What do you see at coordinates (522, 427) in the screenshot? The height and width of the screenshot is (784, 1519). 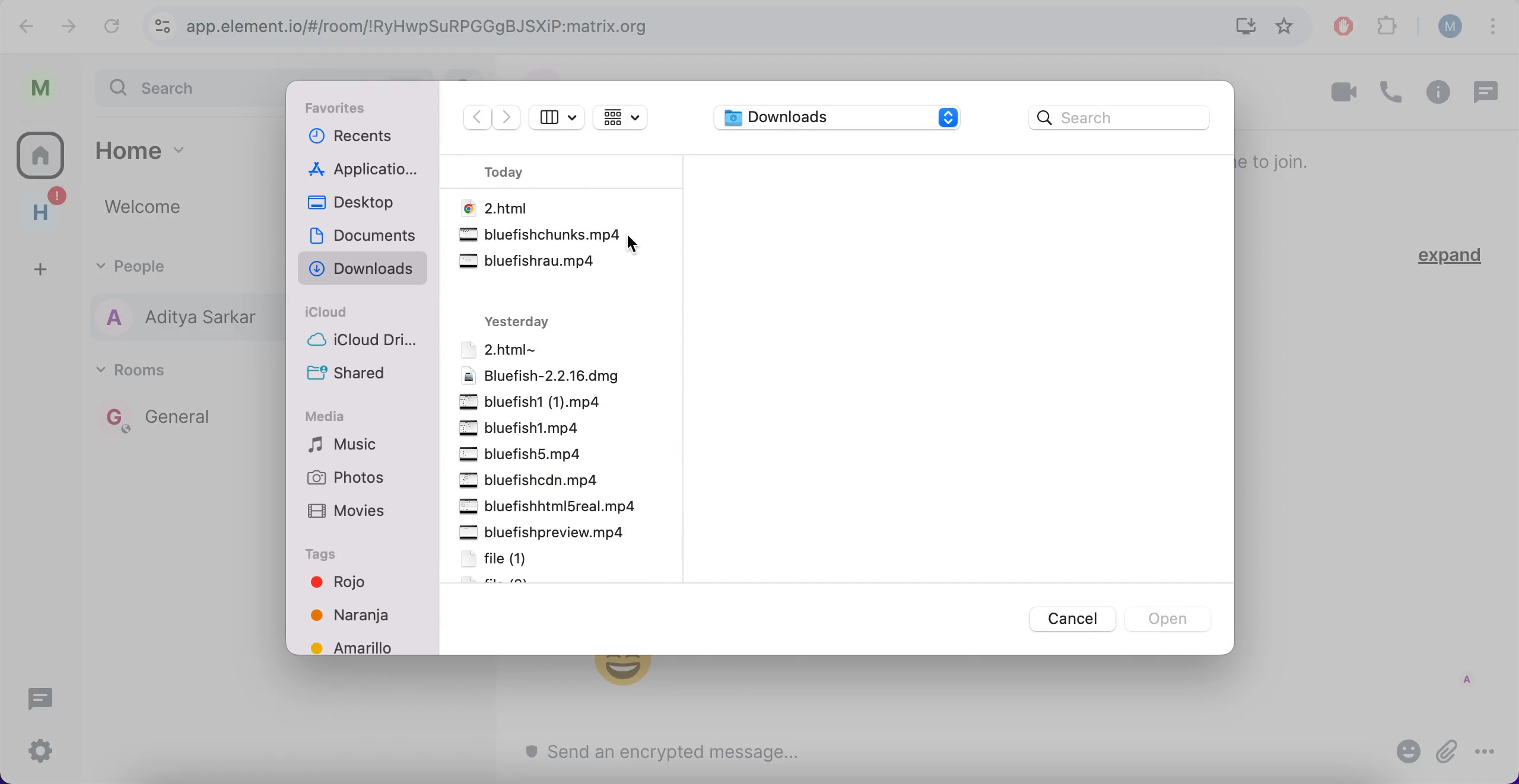 I see `bluefish1.mp4` at bounding box center [522, 427].